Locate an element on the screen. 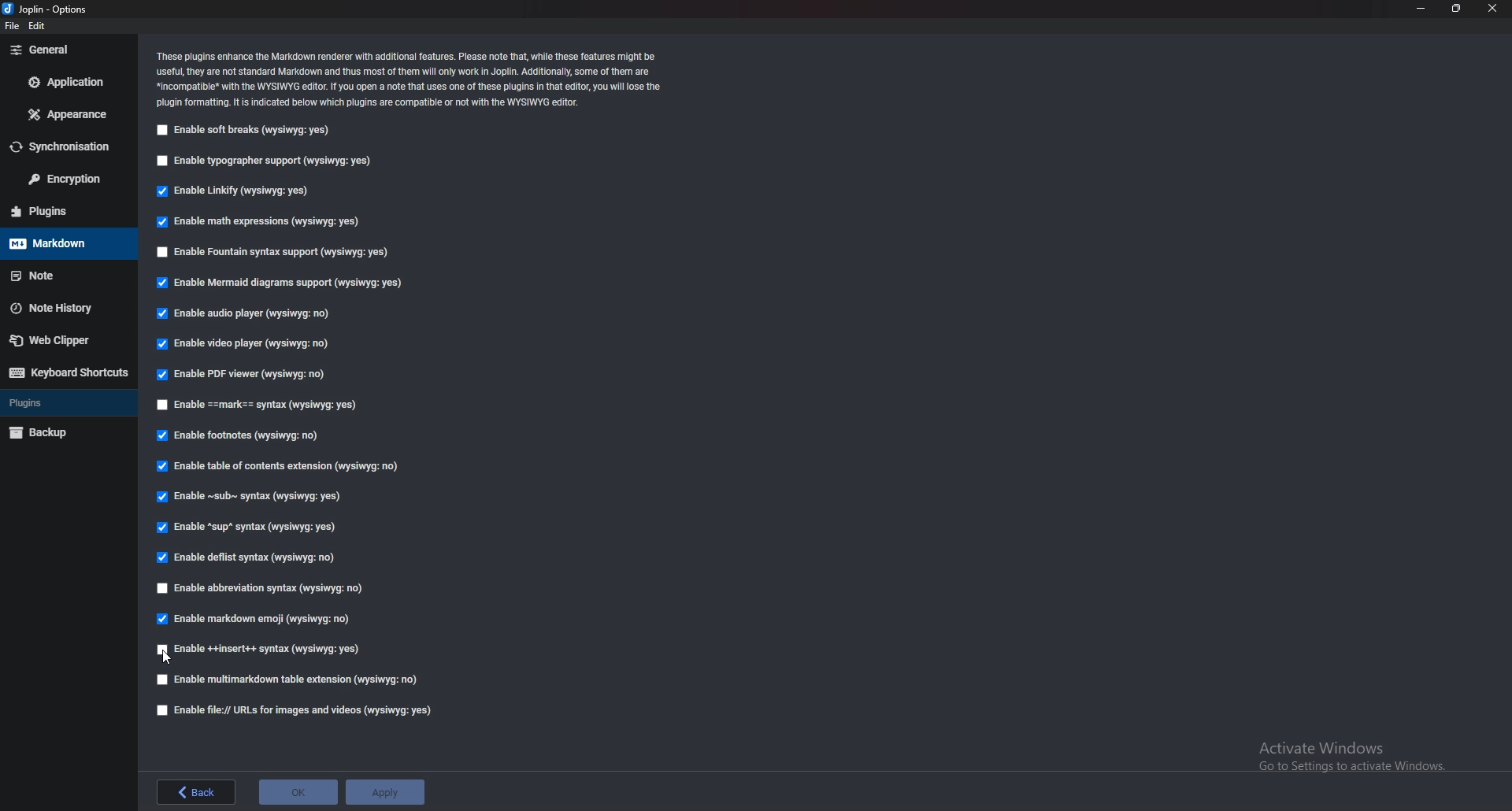 The image size is (1512, 811). enable multimarkdown table extension is located at coordinates (289, 680).